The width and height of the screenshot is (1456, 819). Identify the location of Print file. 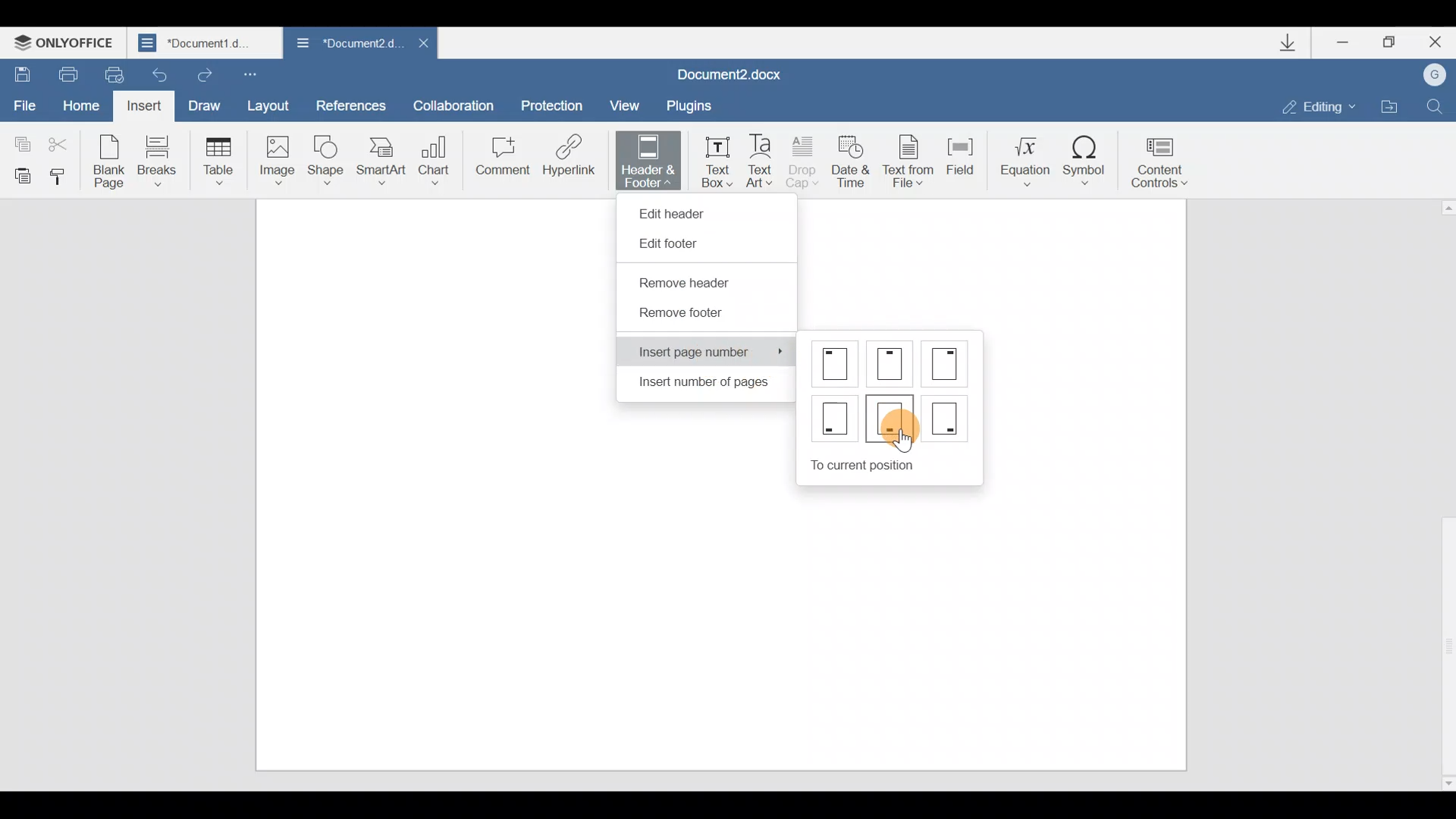
(64, 74).